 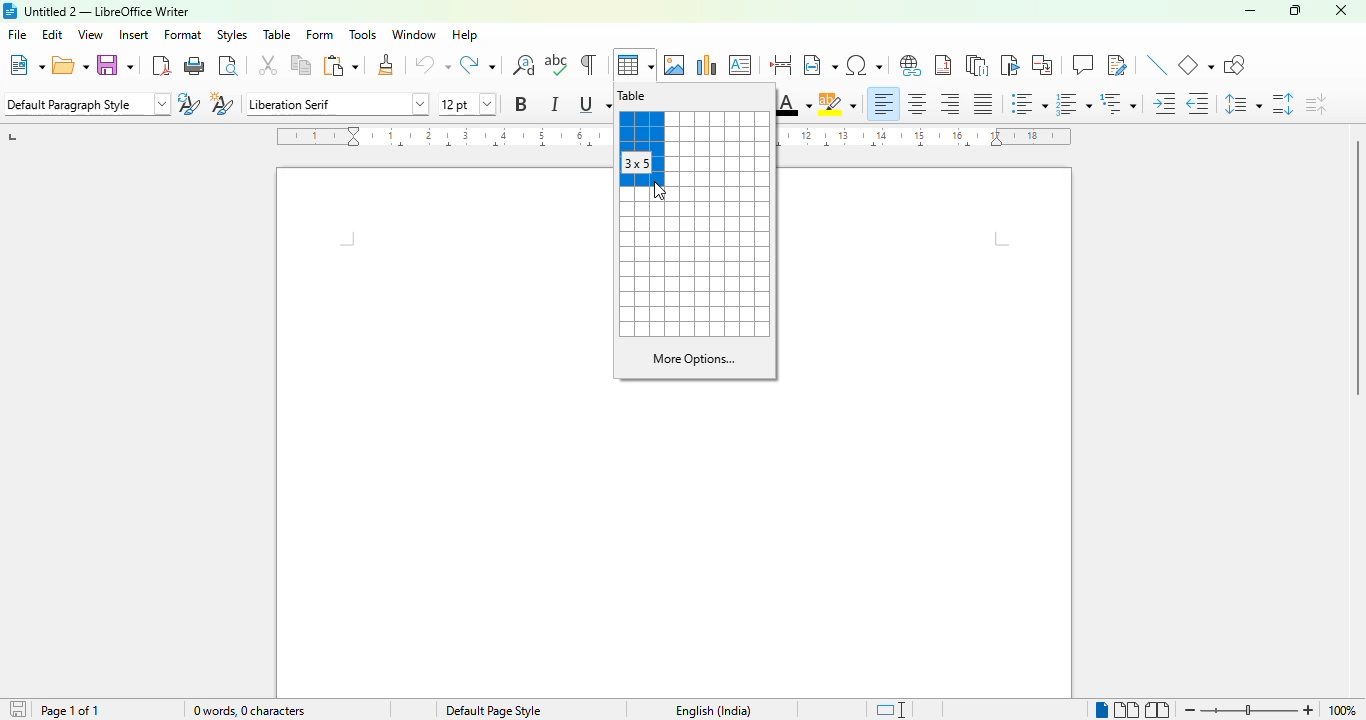 I want to click on word and character count, so click(x=248, y=710).